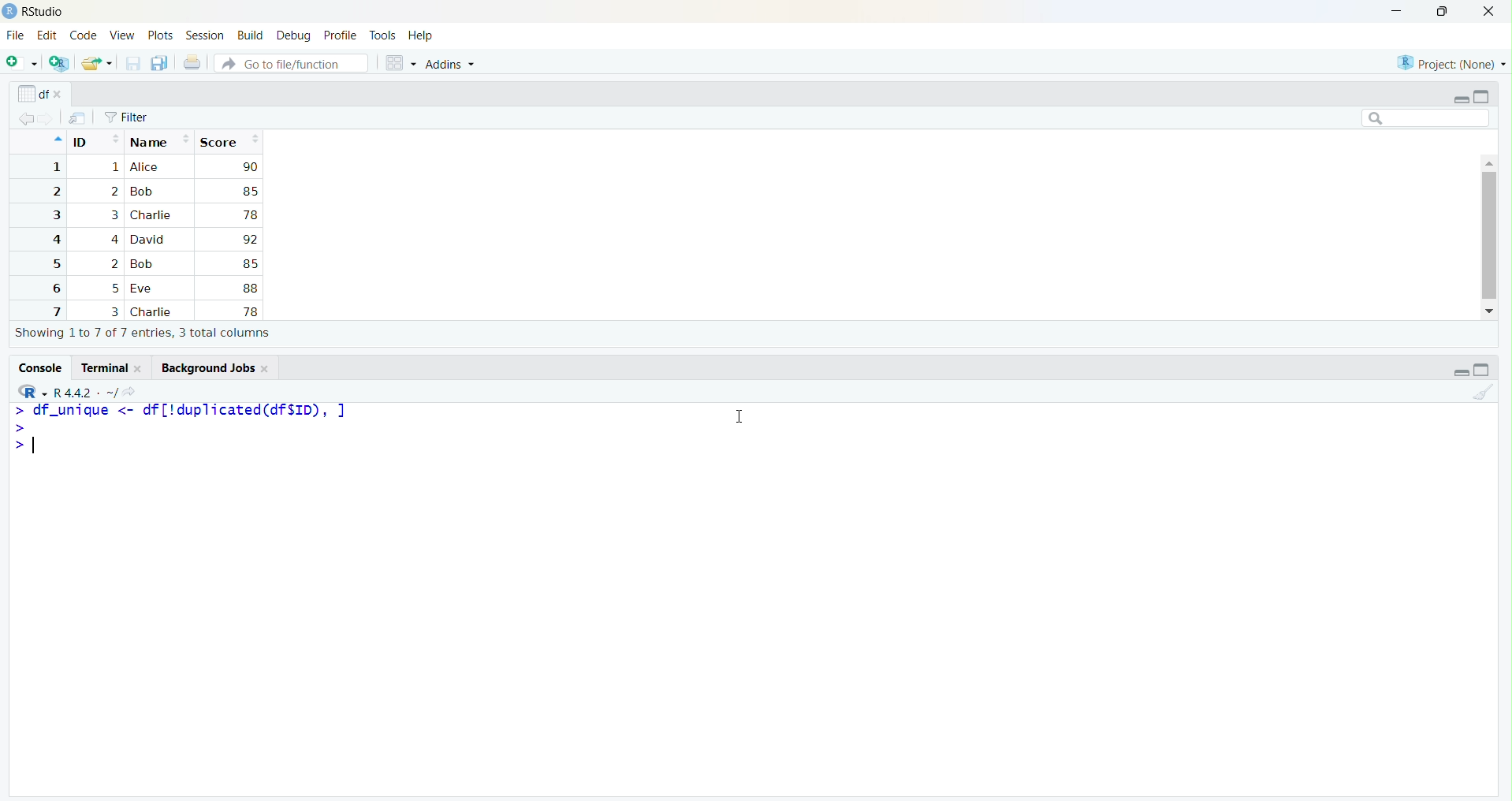 The image size is (1512, 801). Describe the element at coordinates (78, 118) in the screenshot. I see `file` at that location.